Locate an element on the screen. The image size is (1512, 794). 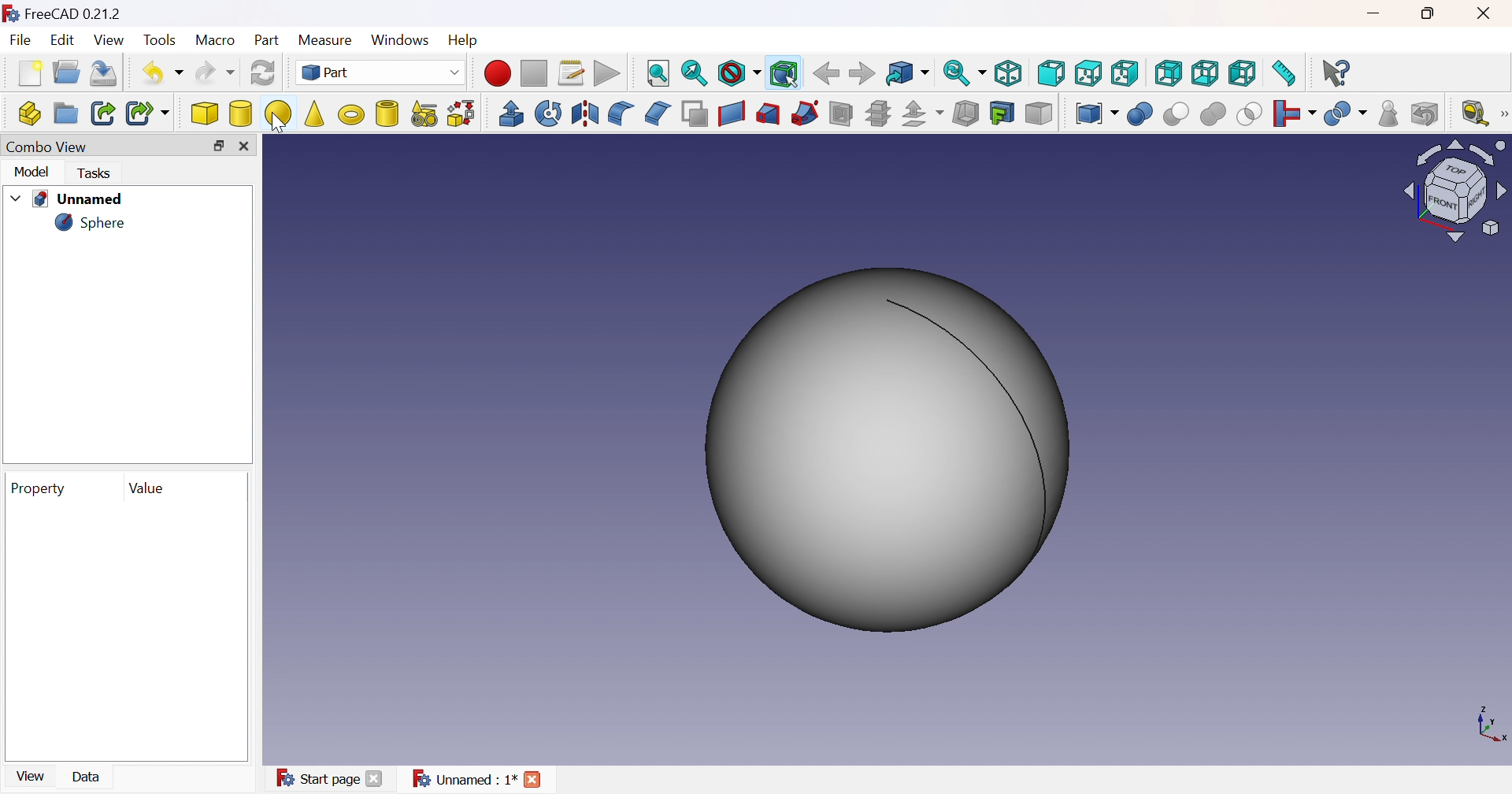
Close is located at coordinates (248, 147).